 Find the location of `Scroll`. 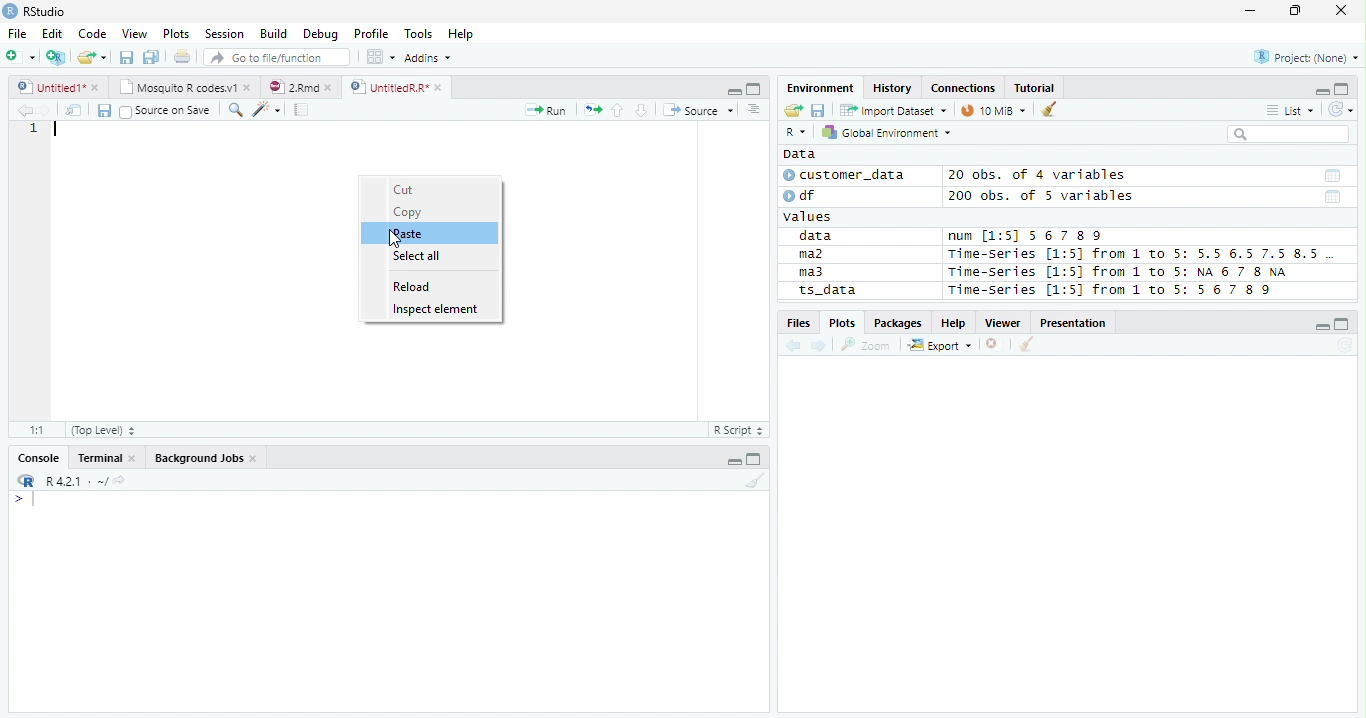

Scroll is located at coordinates (407, 414).